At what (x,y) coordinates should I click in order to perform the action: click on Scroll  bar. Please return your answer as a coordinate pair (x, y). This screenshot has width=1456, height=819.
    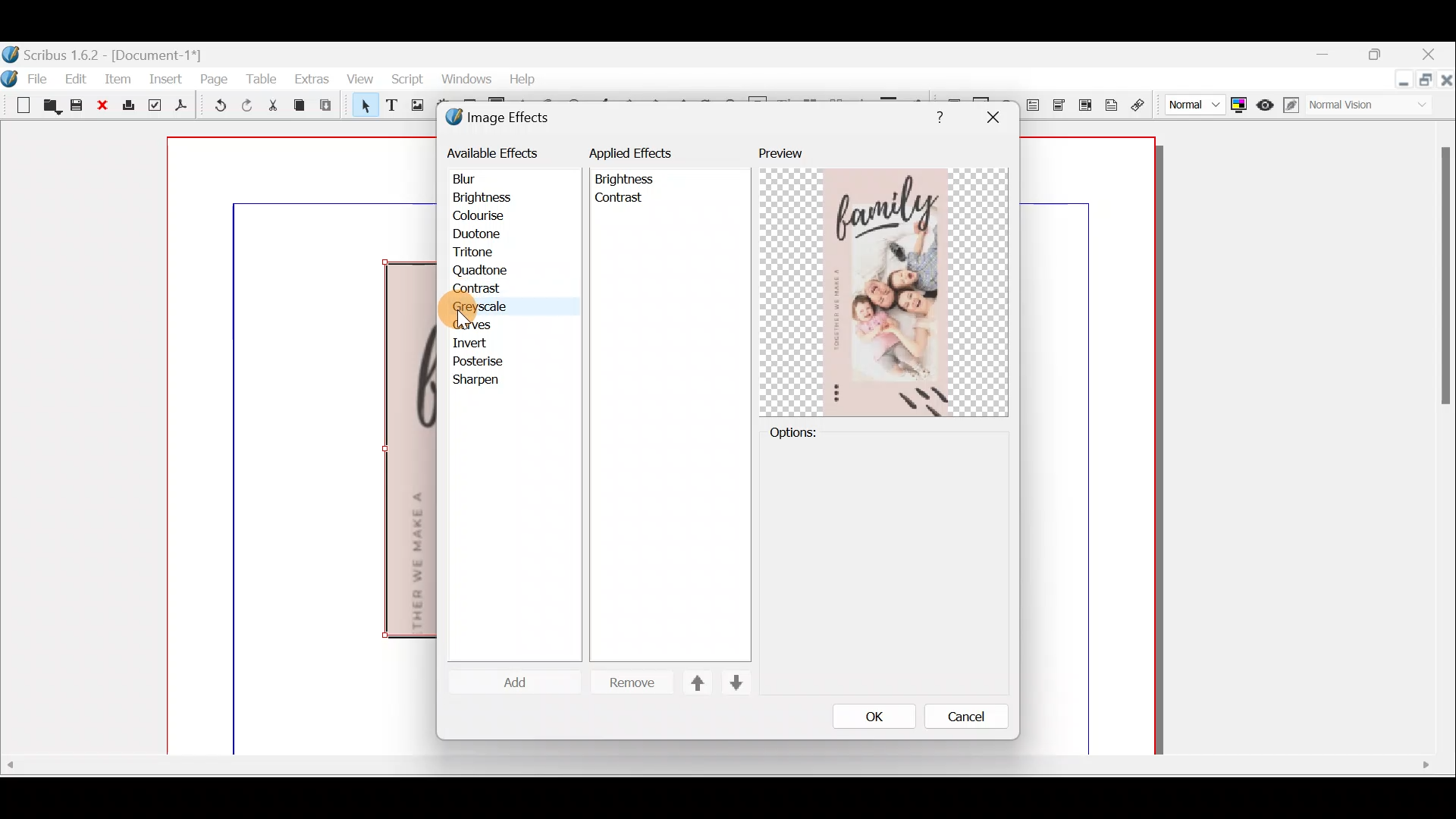
    Looking at the image, I should click on (726, 777).